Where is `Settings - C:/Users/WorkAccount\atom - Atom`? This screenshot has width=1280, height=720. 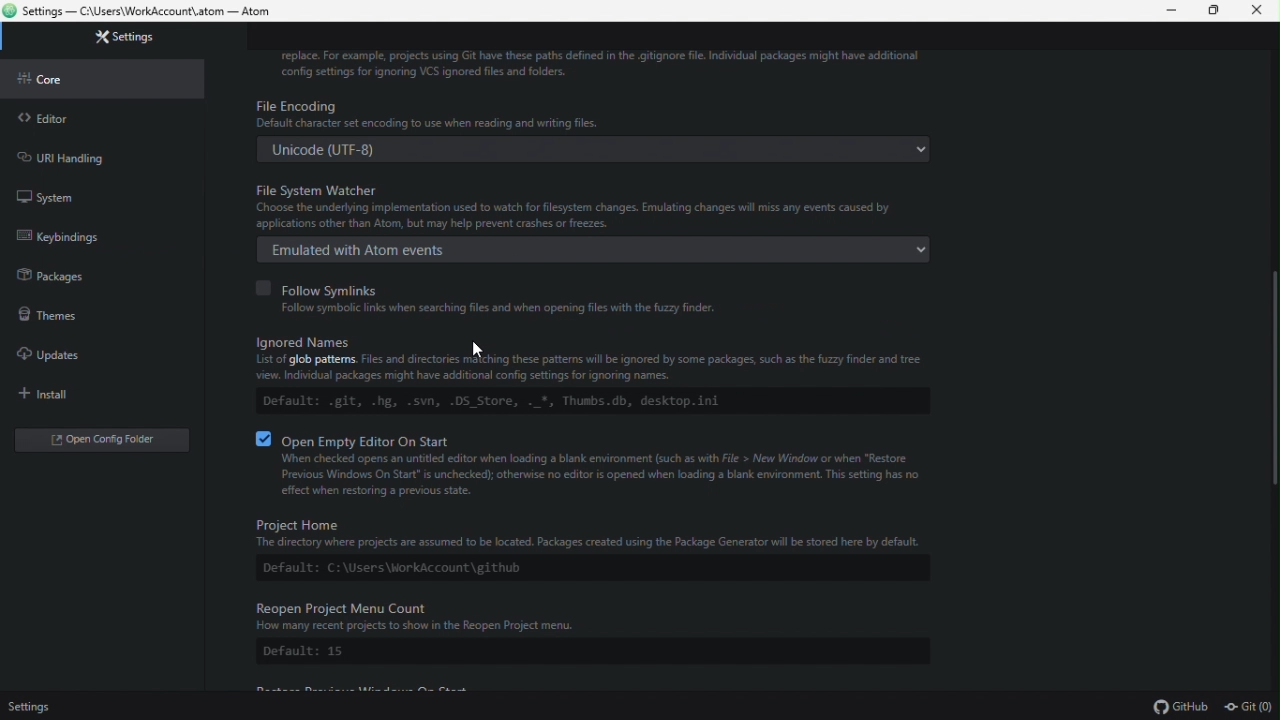 Settings - C:/Users/WorkAccount\atom - Atom is located at coordinates (154, 13).